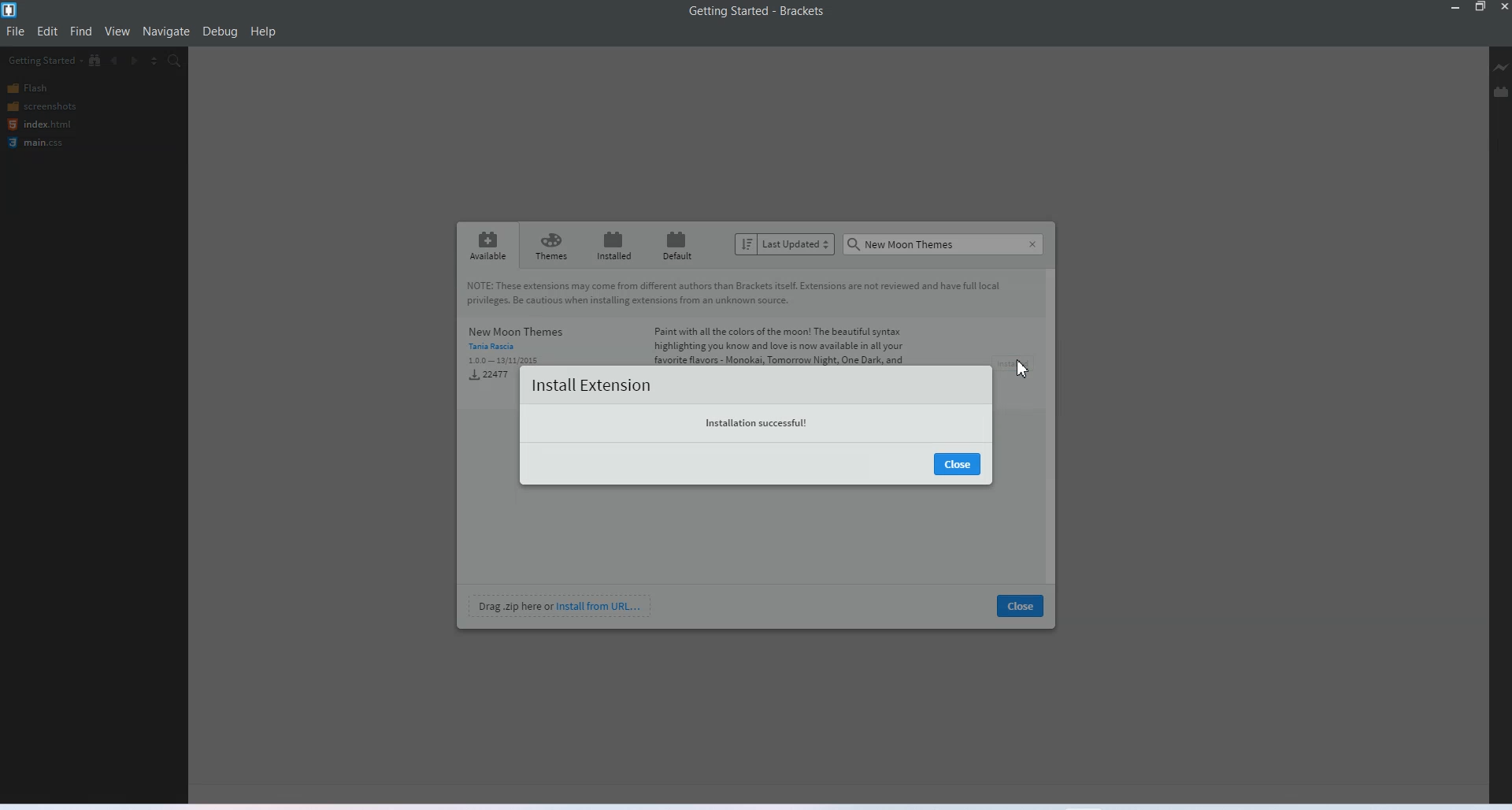 The height and width of the screenshot is (810, 1512). I want to click on Installation successful!, so click(757, 421).